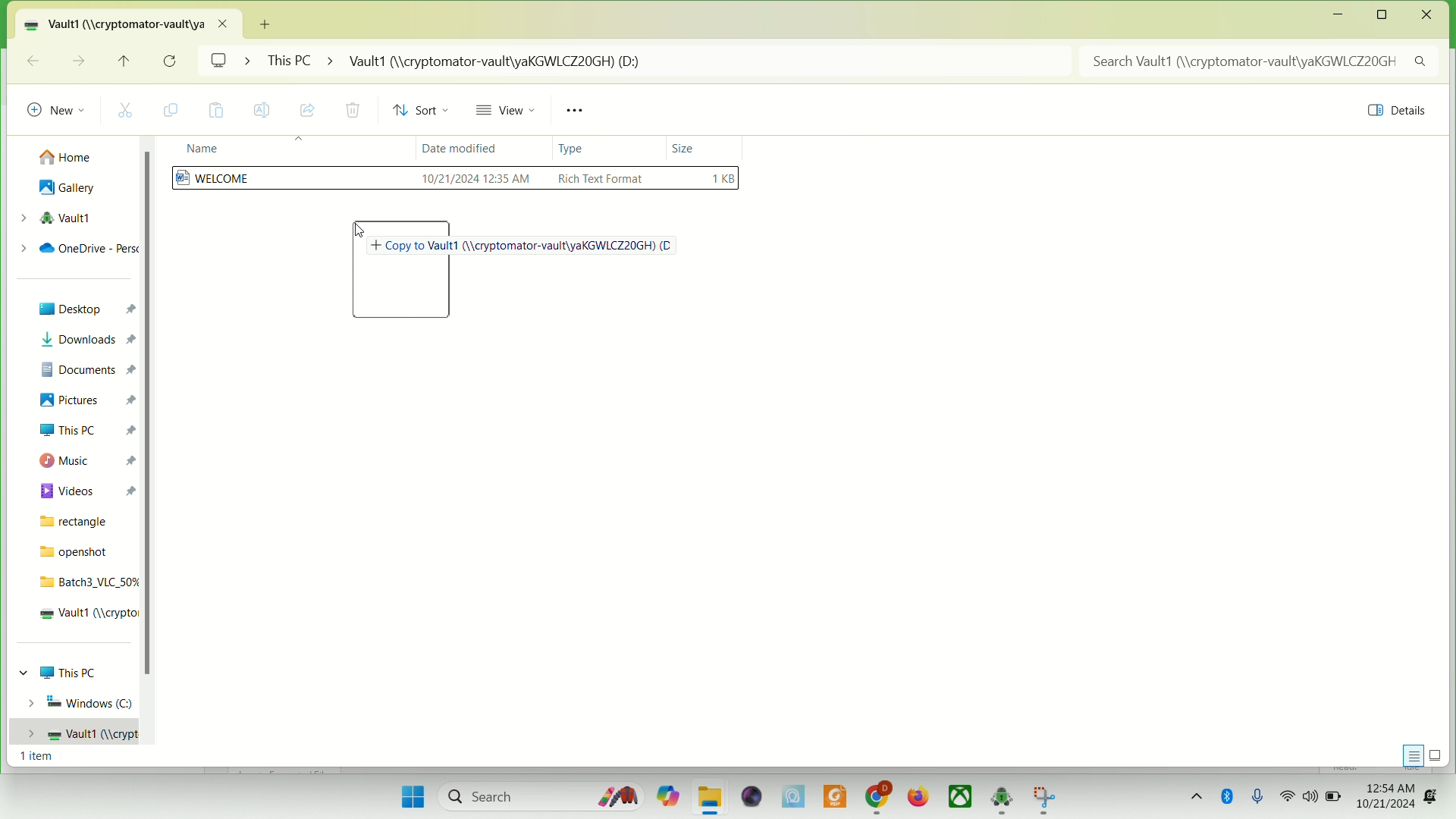  What do you see at coordinates (84, 339) in the screenshot?
I see `downloads` at bounding box center [84, 339].